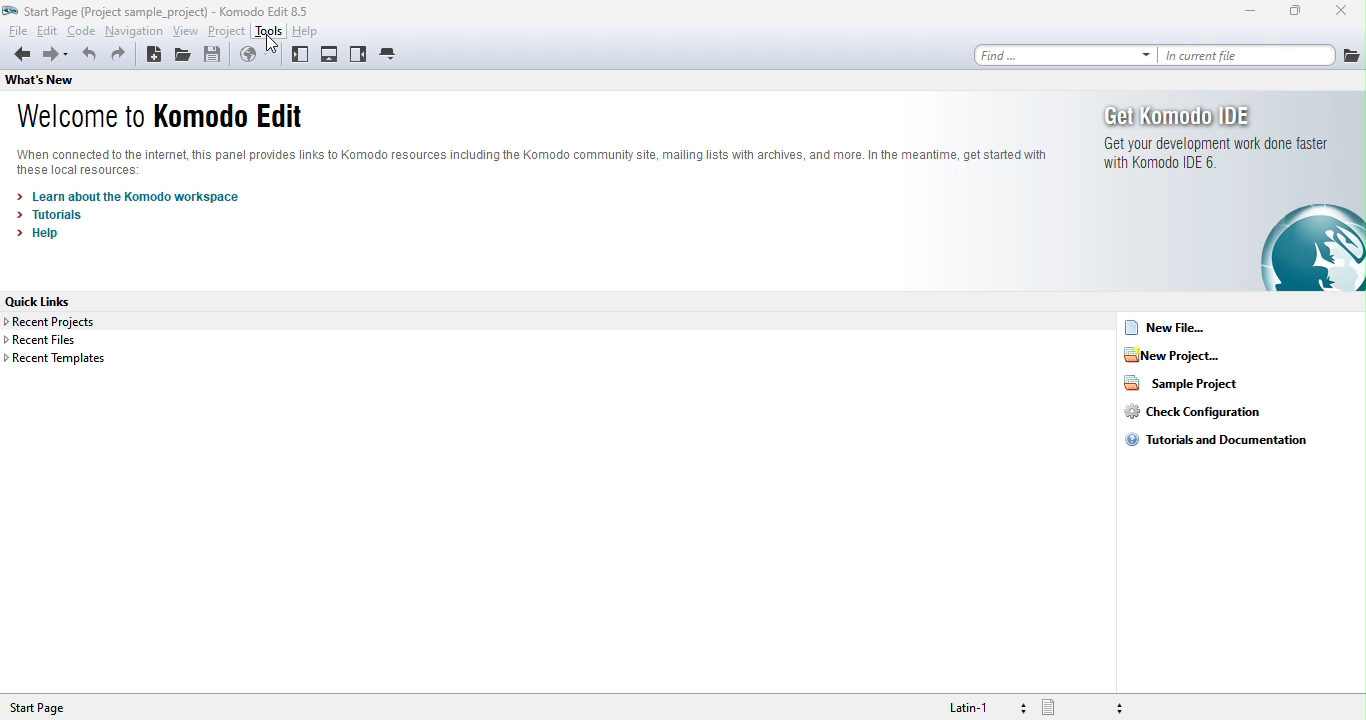 The width and height of the screenshot is (1366, 720). Describe the element at coordinates (1291, 12) in the screenshot. I see `maximize` at that location.